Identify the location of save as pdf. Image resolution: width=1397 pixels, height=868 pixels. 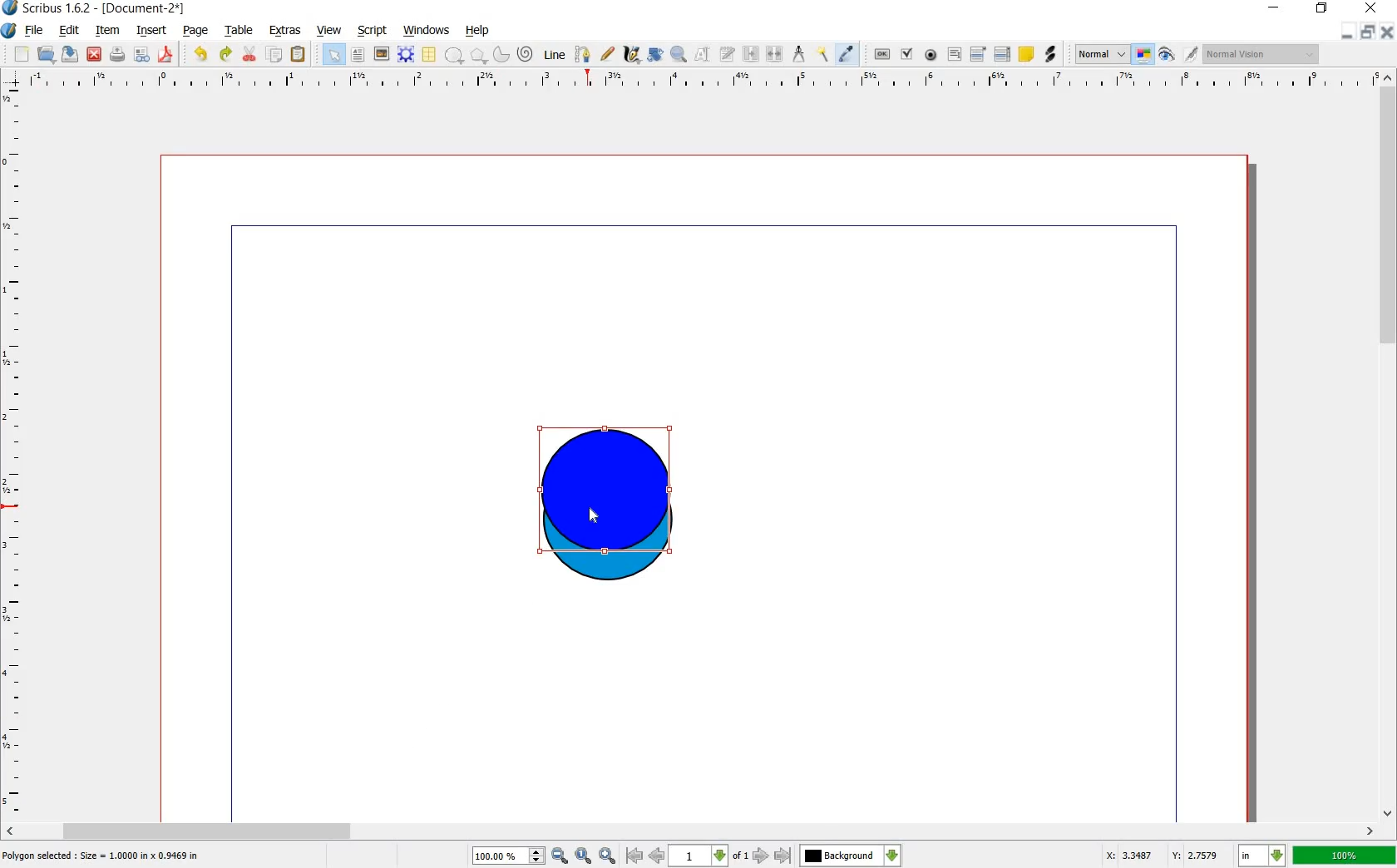
(165, 55).